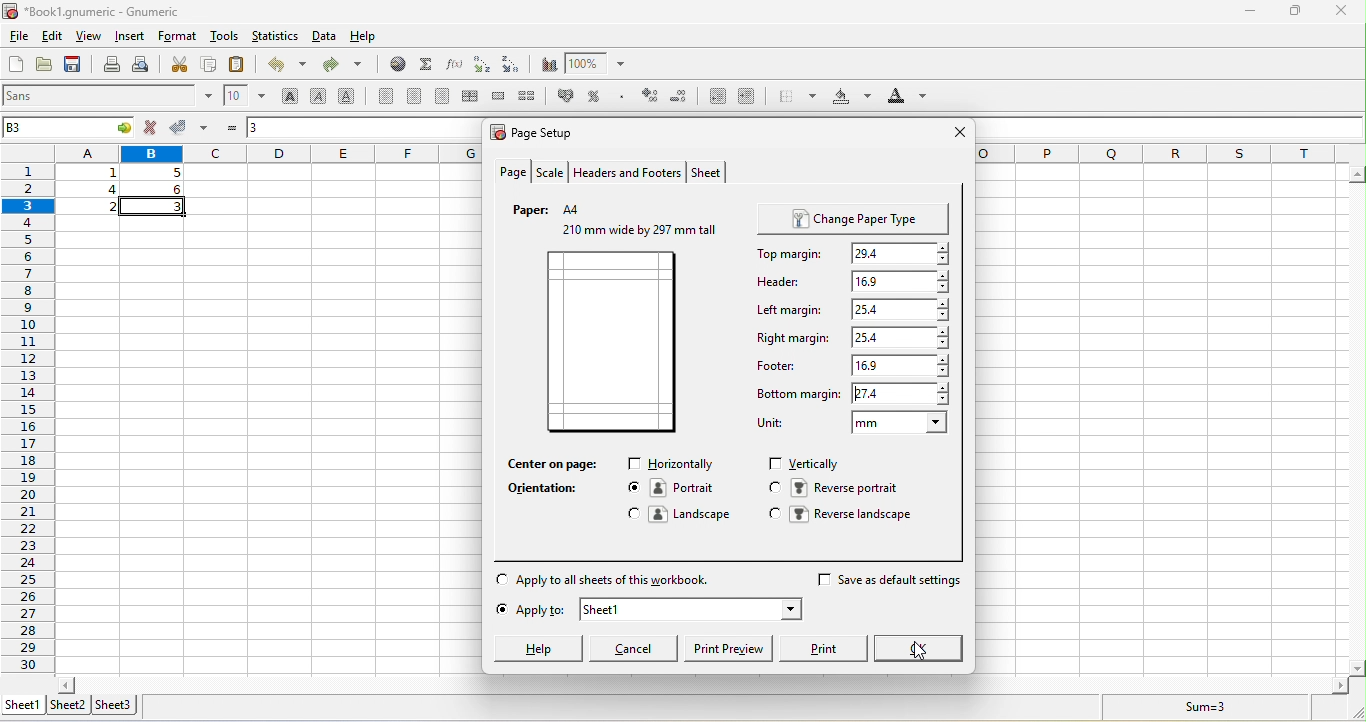 The width and height of the screenshot is (1366, 722). I want to click on bottom mergine, so click(796, 397).